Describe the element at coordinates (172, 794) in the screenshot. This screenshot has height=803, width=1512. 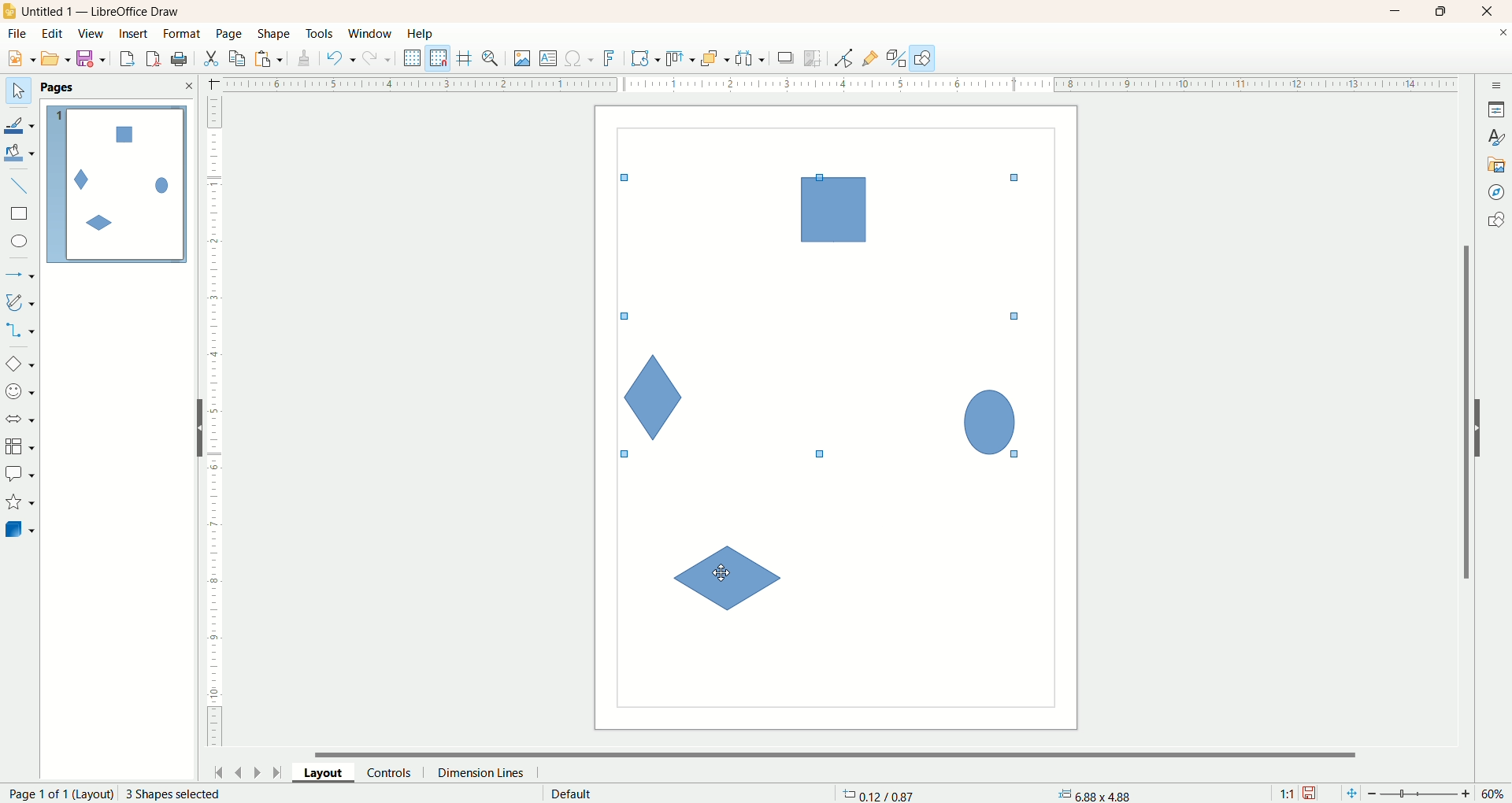
I see `2 Shape selected` at that location.